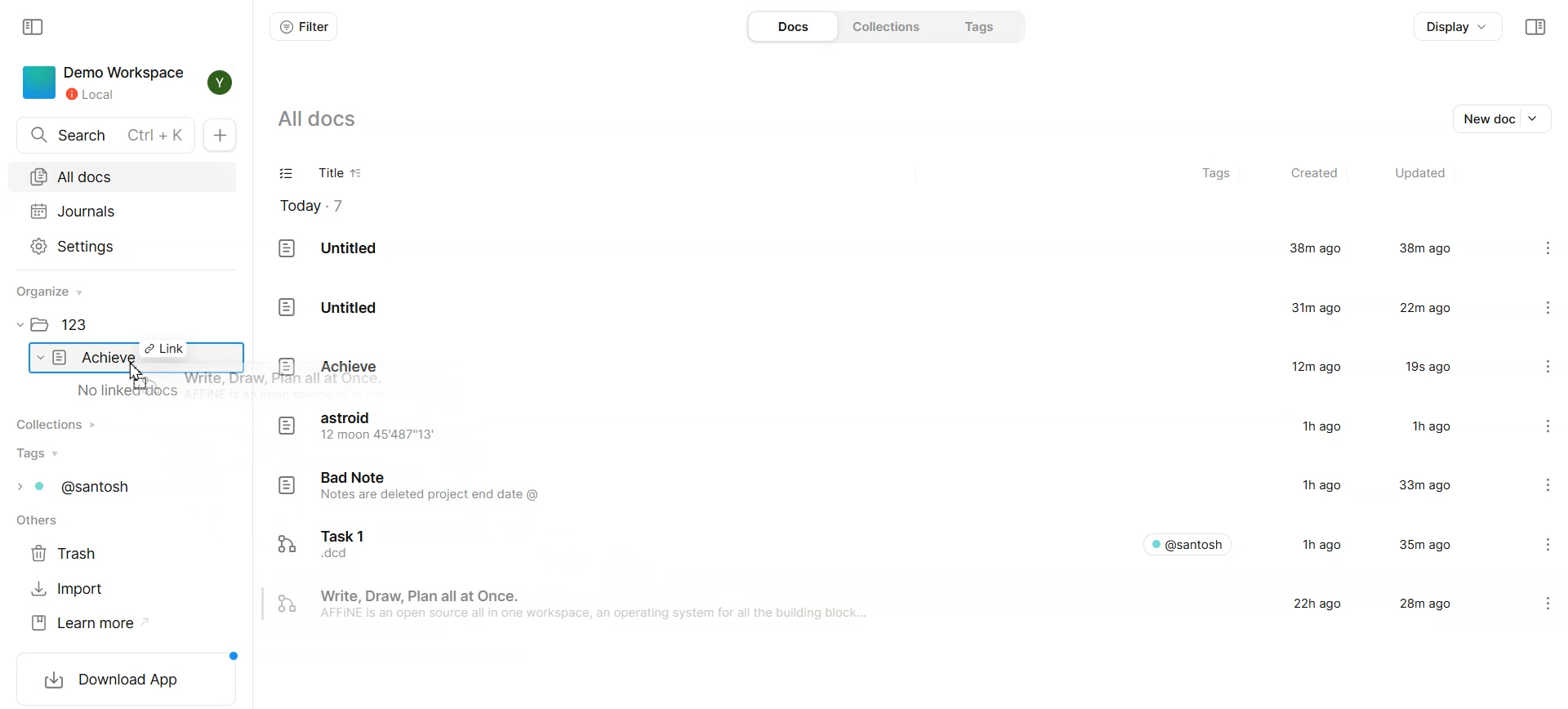 This screenshot has width=1568, height=709. Describe the element at coordinates (122, 245) in the screenshot. I see `Settings` at that location.